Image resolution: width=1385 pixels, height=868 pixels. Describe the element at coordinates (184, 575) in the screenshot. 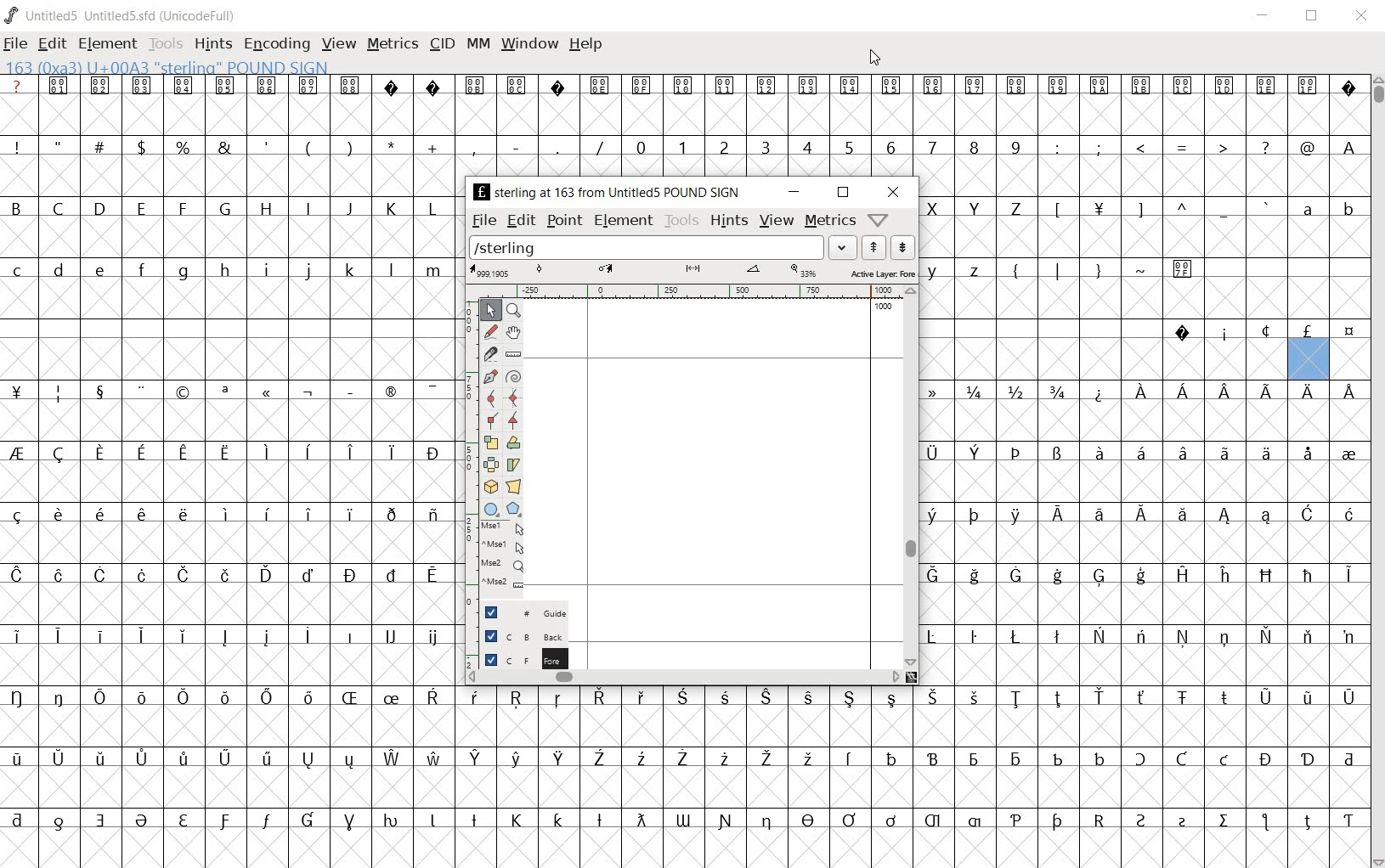

I see `Symbol` at that location.